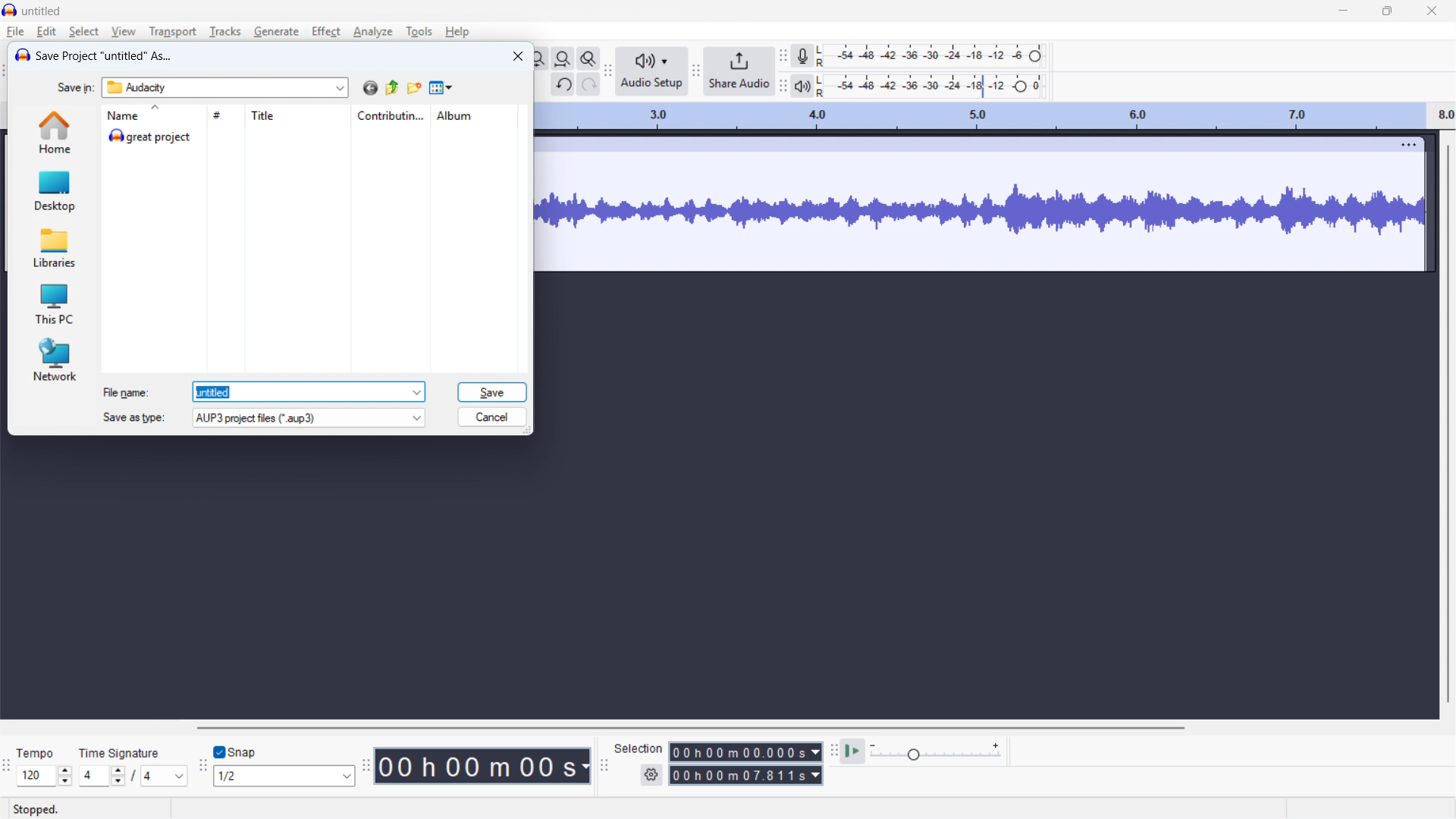 The height and width of the screenshot is (819, 1456). What do you see at coordinates (695, 72) in the screenshot?
I see `share audio toolbar` at bounding box center [695, 72].